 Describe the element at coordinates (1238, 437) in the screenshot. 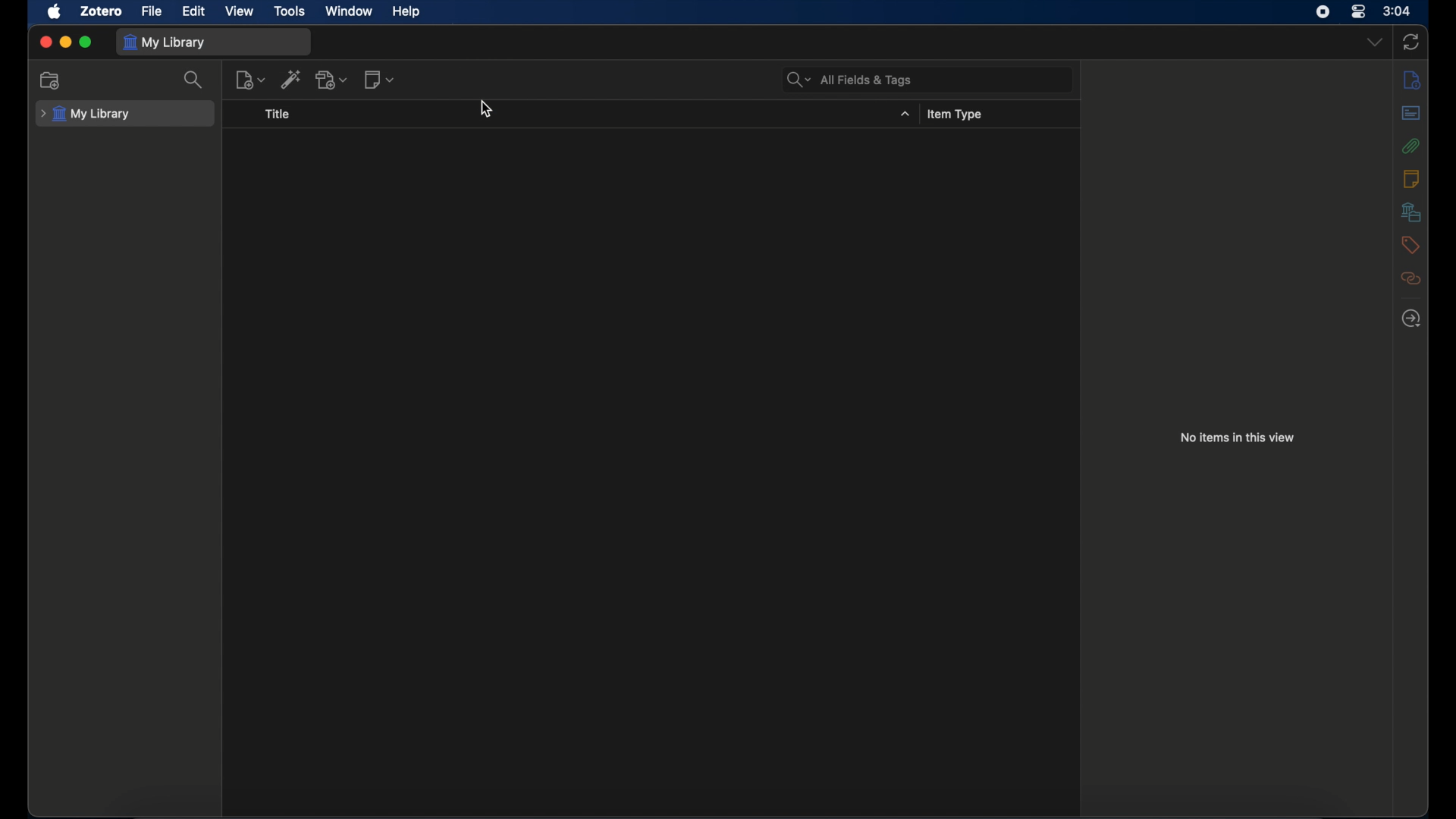

I see `no items in this view` at that location.